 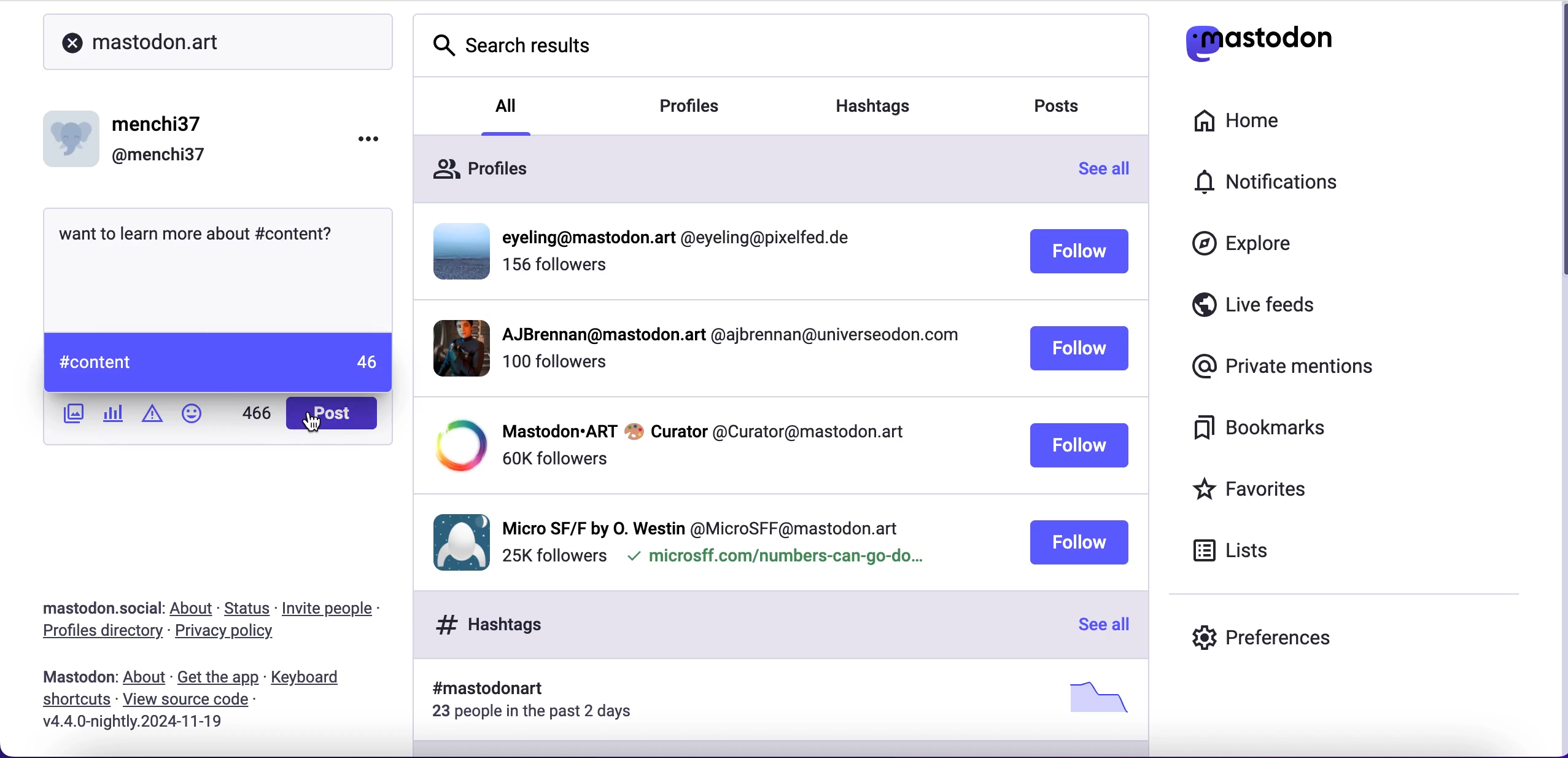 I want to click on posts, so click(x=1068, y=109).